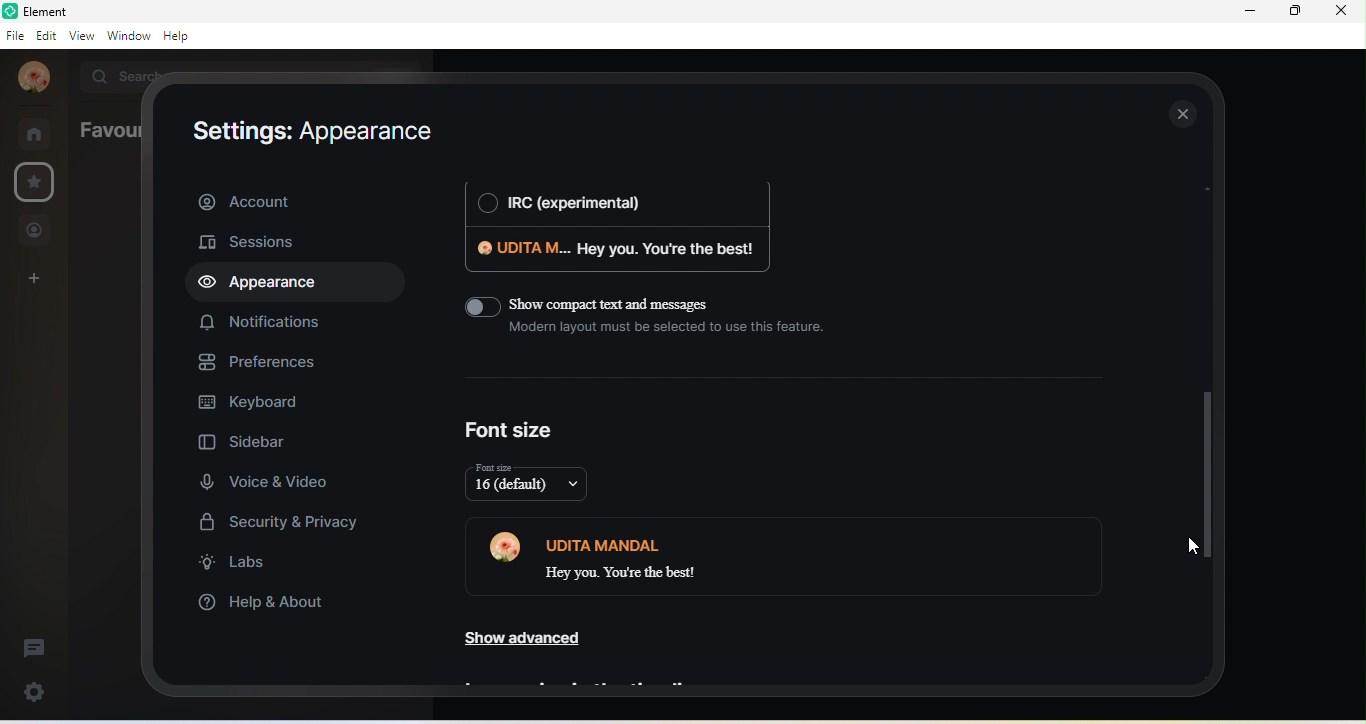  What do you see at coordinates (36, 132) in the screenshot?
I see `rooms` at bounding box center [36, 132].